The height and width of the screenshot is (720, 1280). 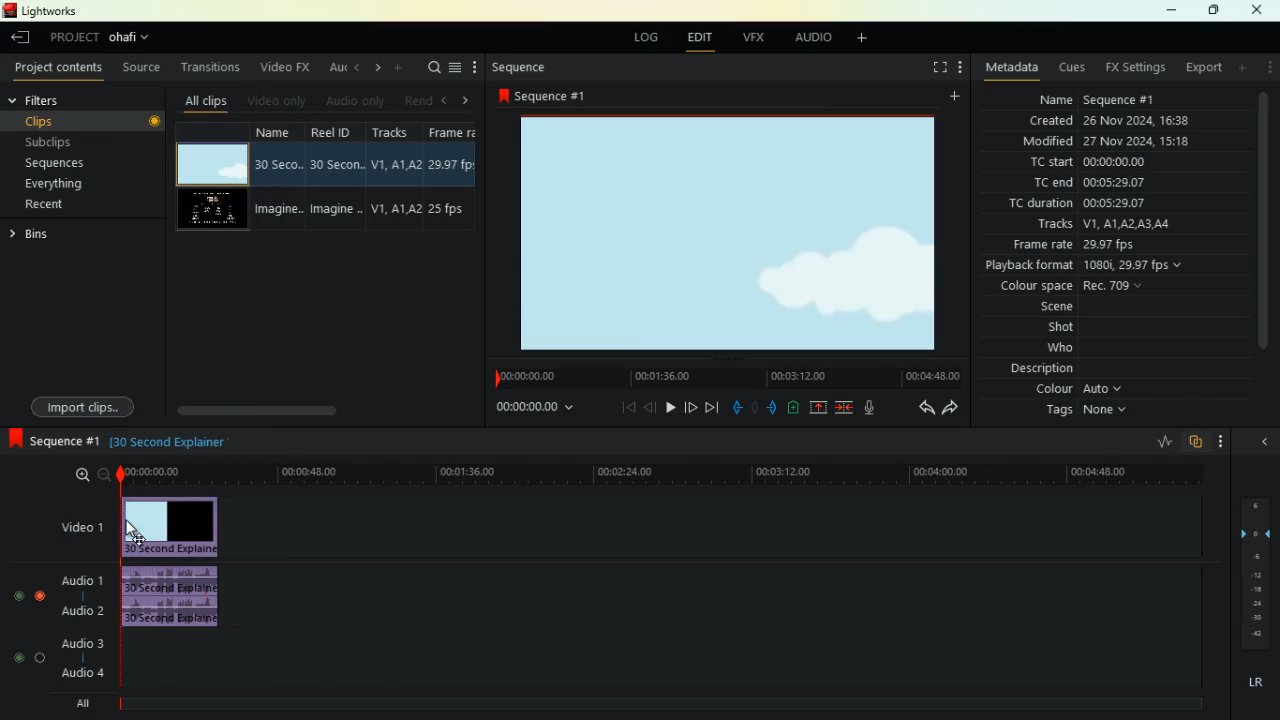 What do you see at coordinates (1194, 442) in the screenshot?
I see `overlap` at bounding box center [1194, 442].